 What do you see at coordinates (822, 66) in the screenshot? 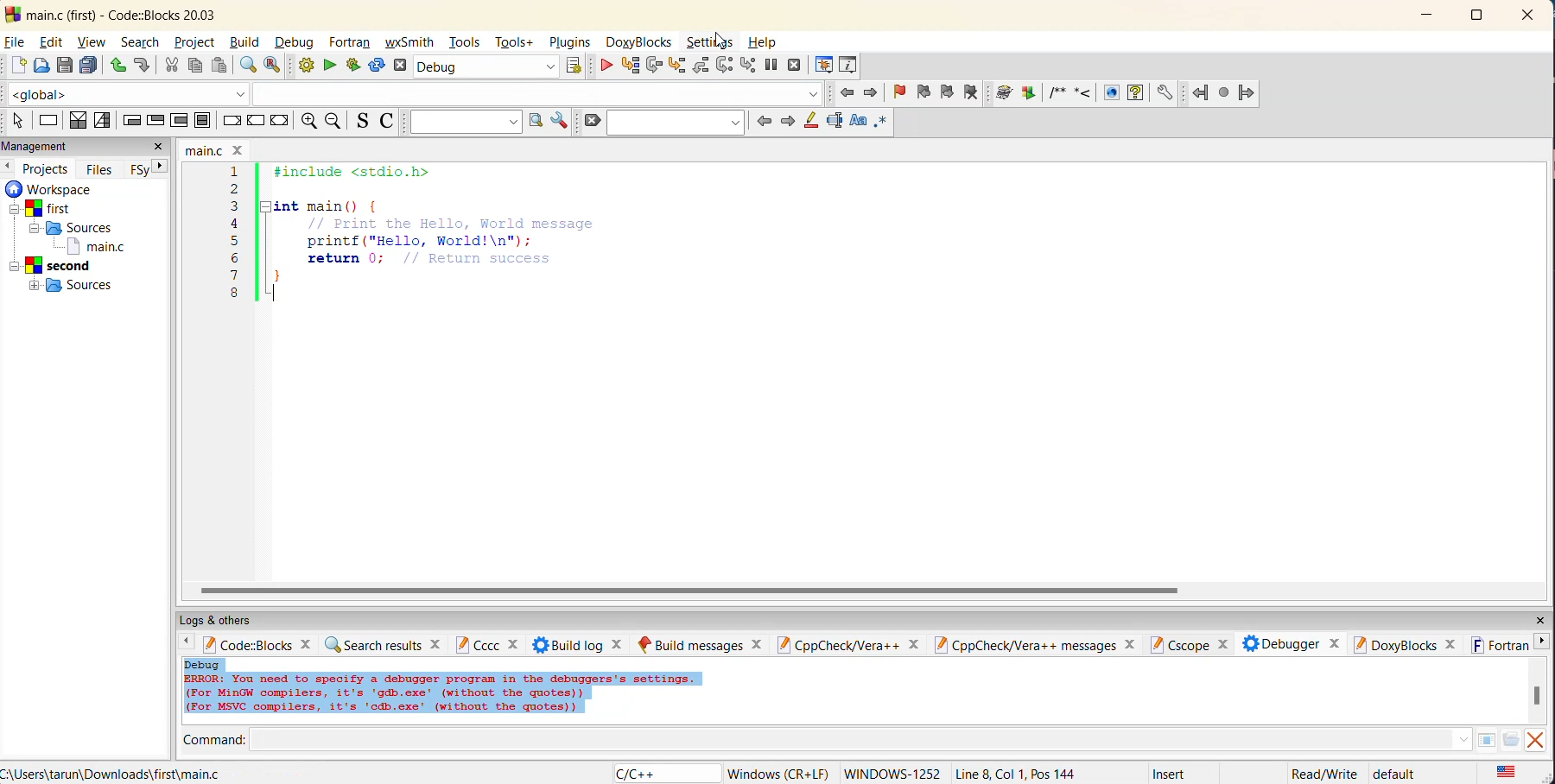
I see `debugging windows` at bounding box center [822, 66].